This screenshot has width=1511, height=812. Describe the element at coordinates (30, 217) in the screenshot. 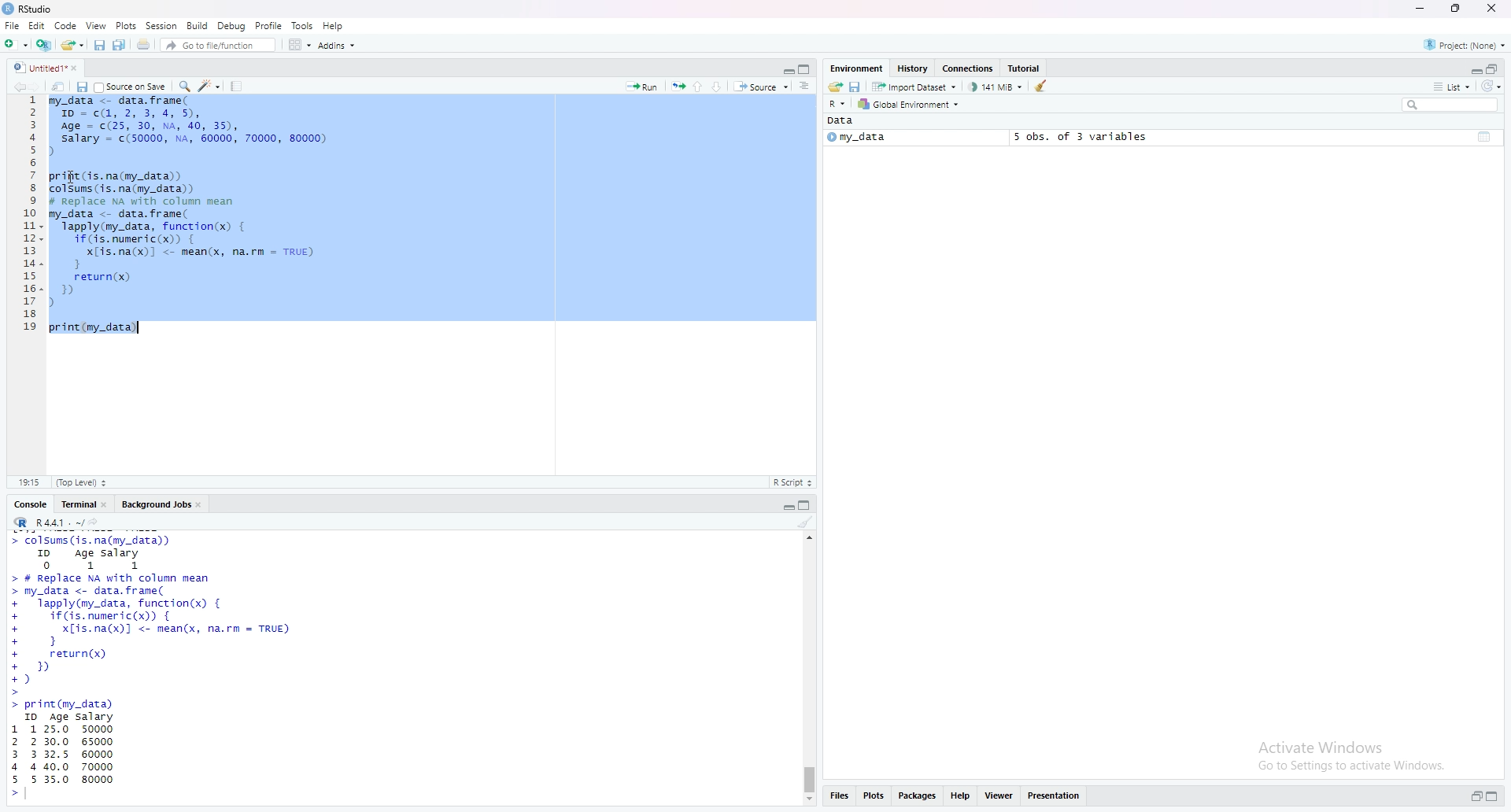

I see `line numbers` at that location.